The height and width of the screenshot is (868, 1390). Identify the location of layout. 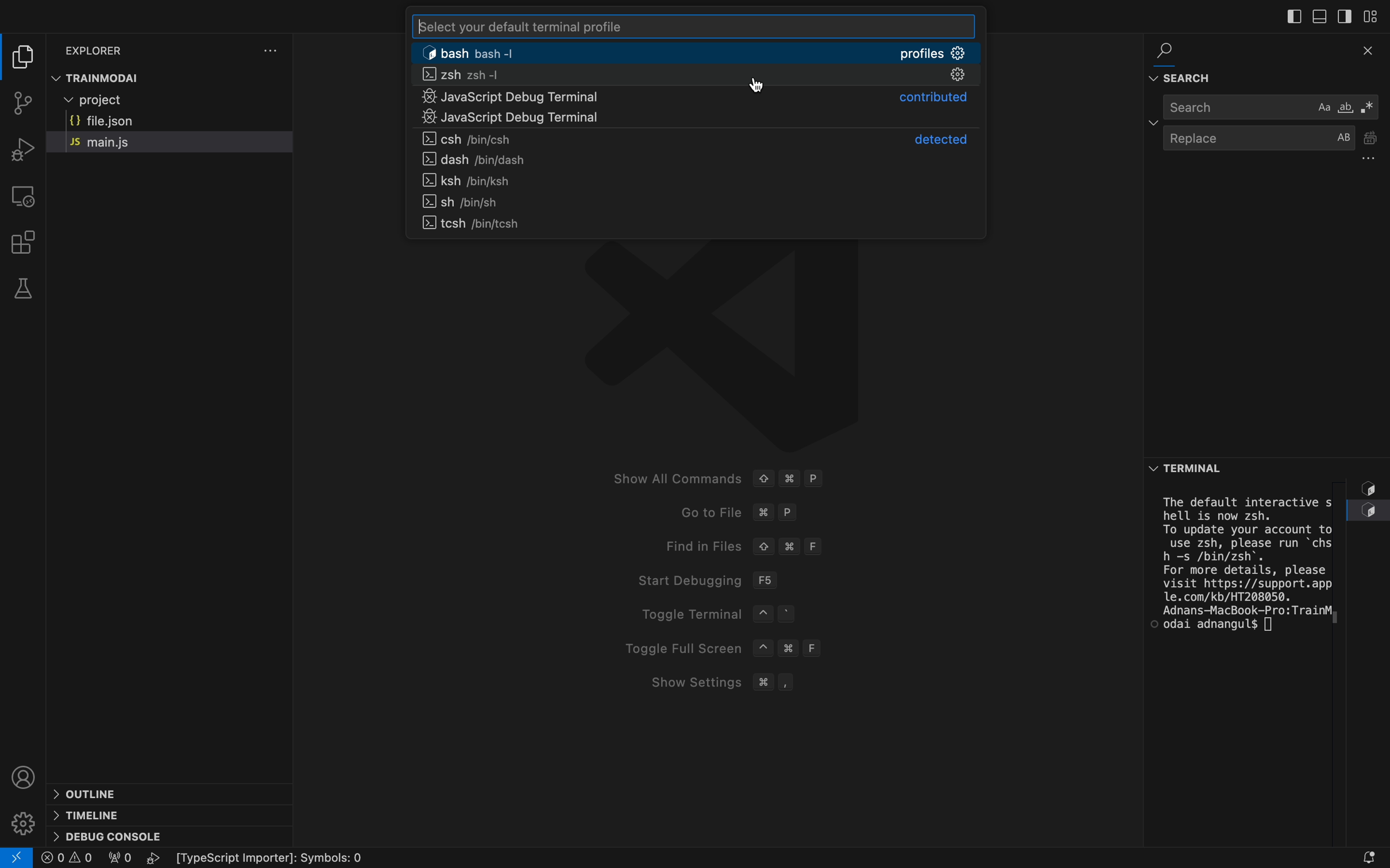
(1375, 15).